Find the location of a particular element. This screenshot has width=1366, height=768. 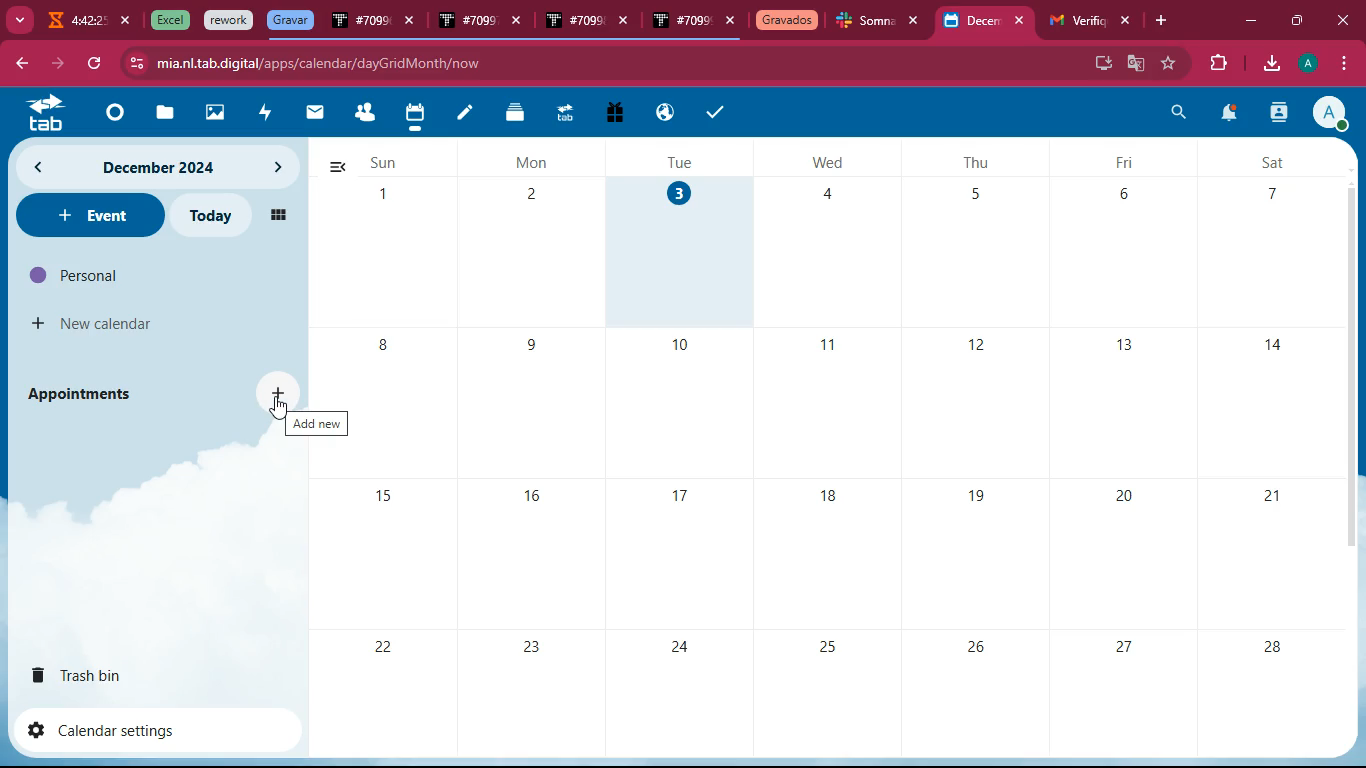

tab is located at coordinates (290, 20).